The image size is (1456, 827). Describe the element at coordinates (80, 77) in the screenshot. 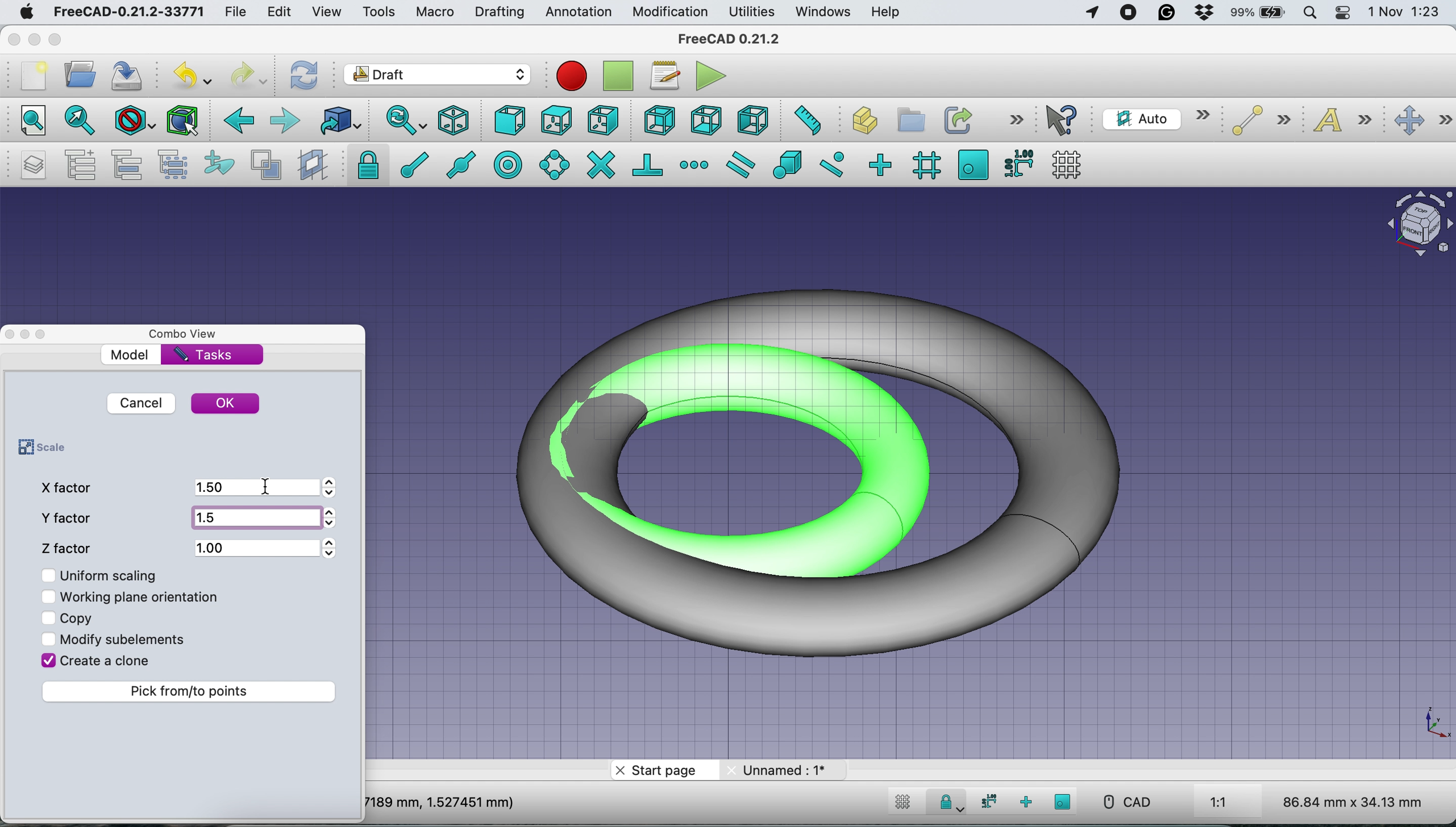

I see `open` at that location.